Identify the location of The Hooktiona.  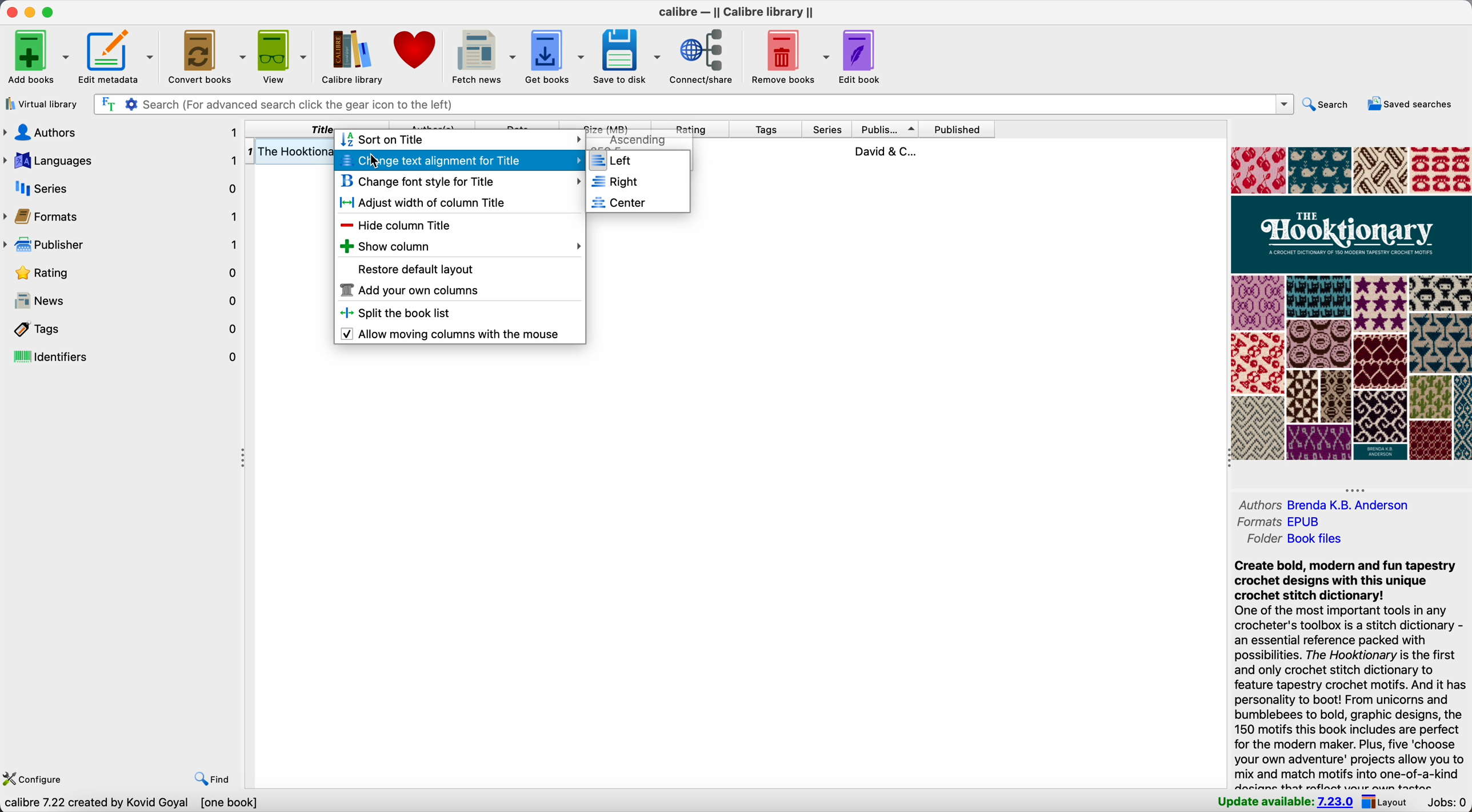
(289, 151).